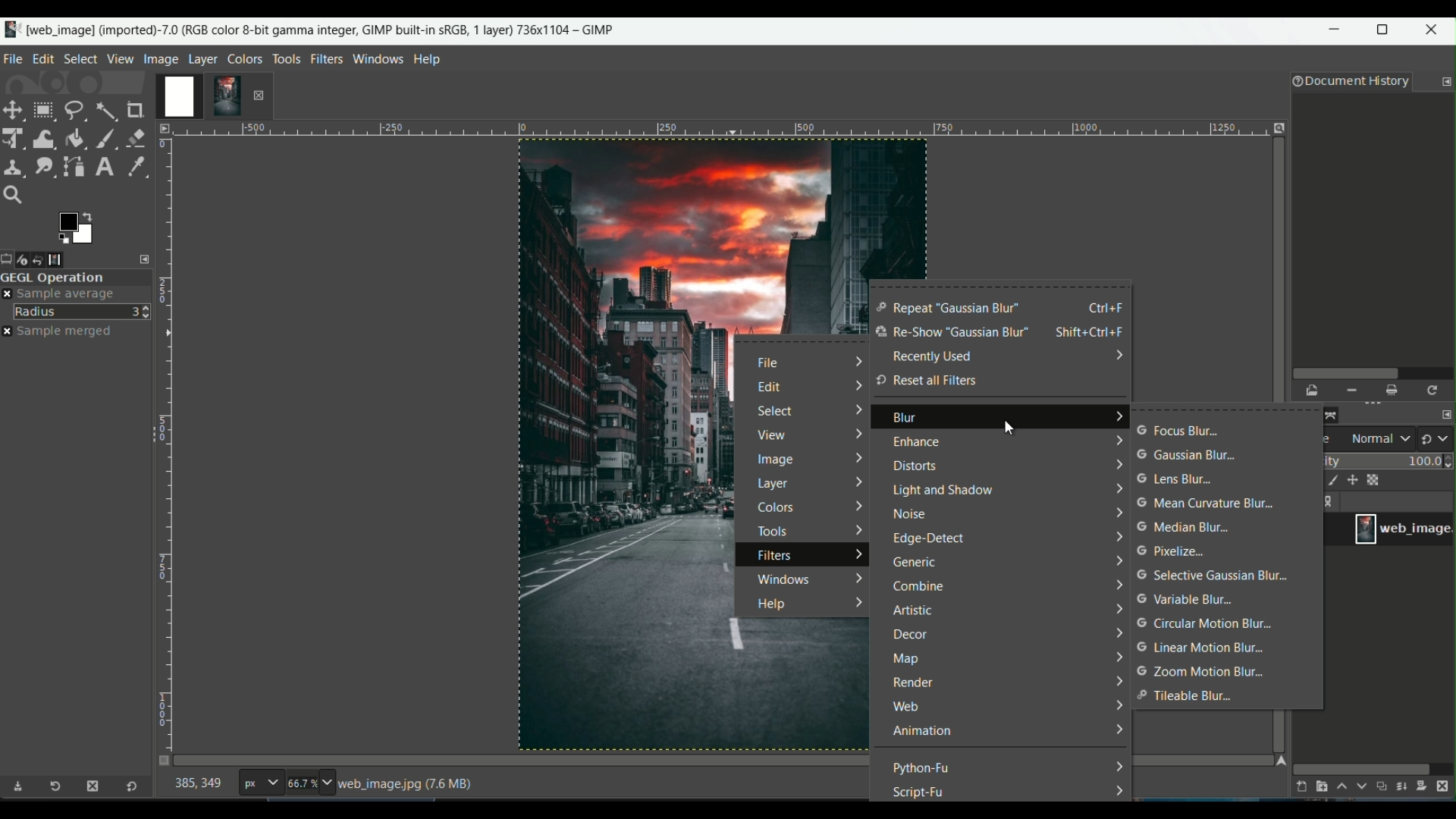 Image resolution: width=1456 pixels, height=819 pixels. Describe the element at coordinates (777, 411) in the screenshot. I see `select` at that location.